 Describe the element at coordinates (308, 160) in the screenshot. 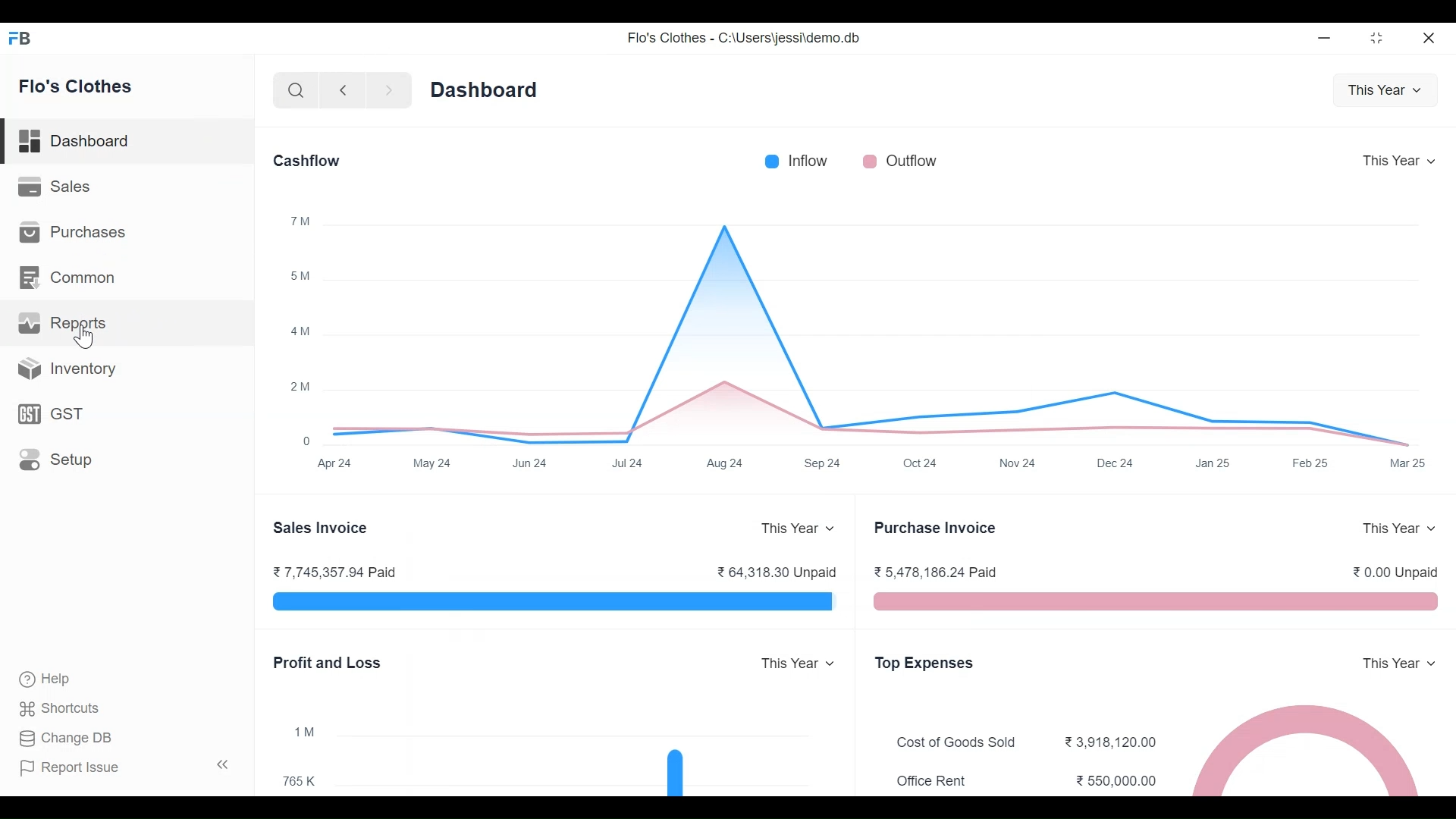

I see `cashflow` at that location.